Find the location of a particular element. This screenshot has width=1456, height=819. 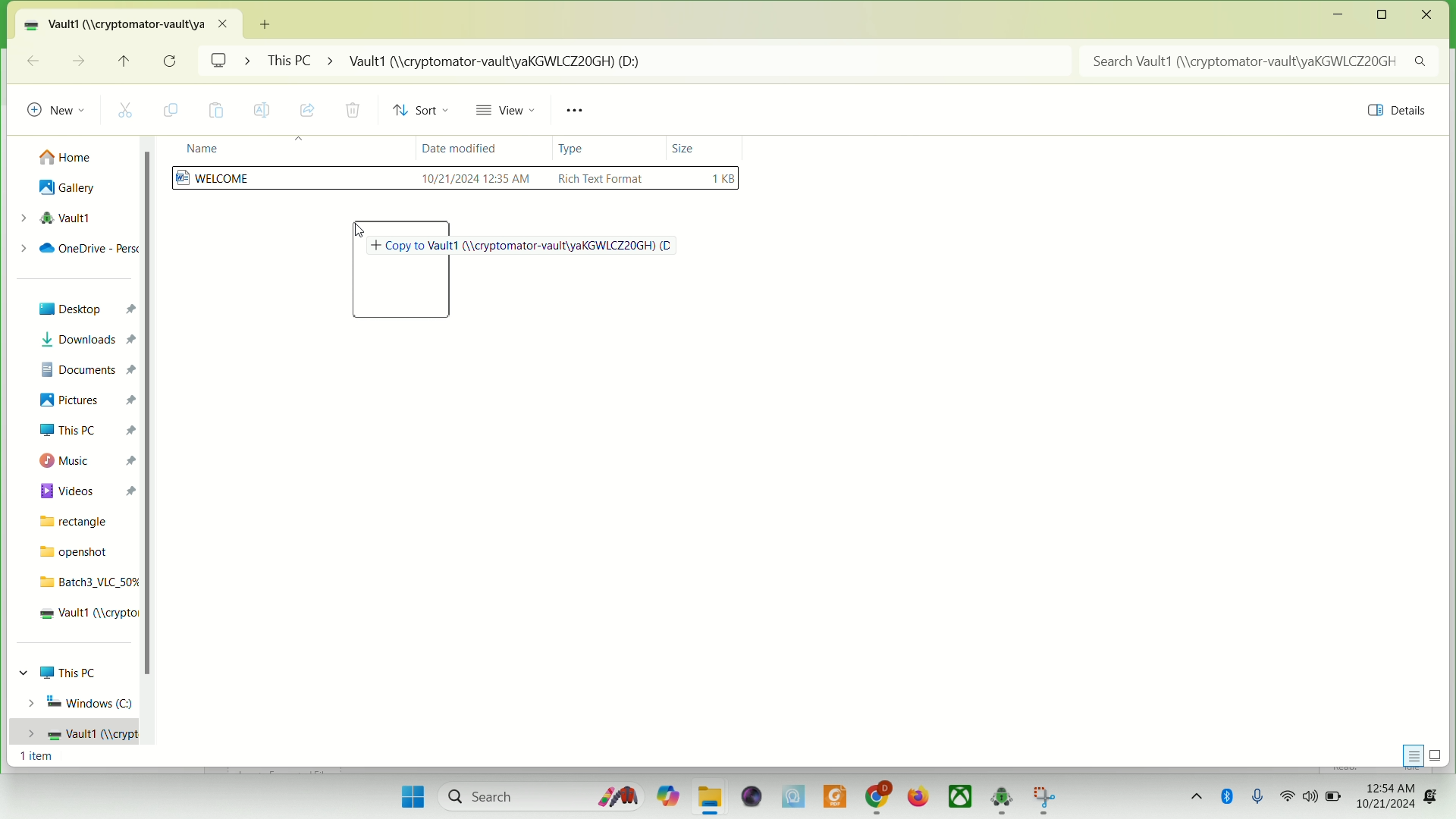

cursor is located at coordinates (357, 231).